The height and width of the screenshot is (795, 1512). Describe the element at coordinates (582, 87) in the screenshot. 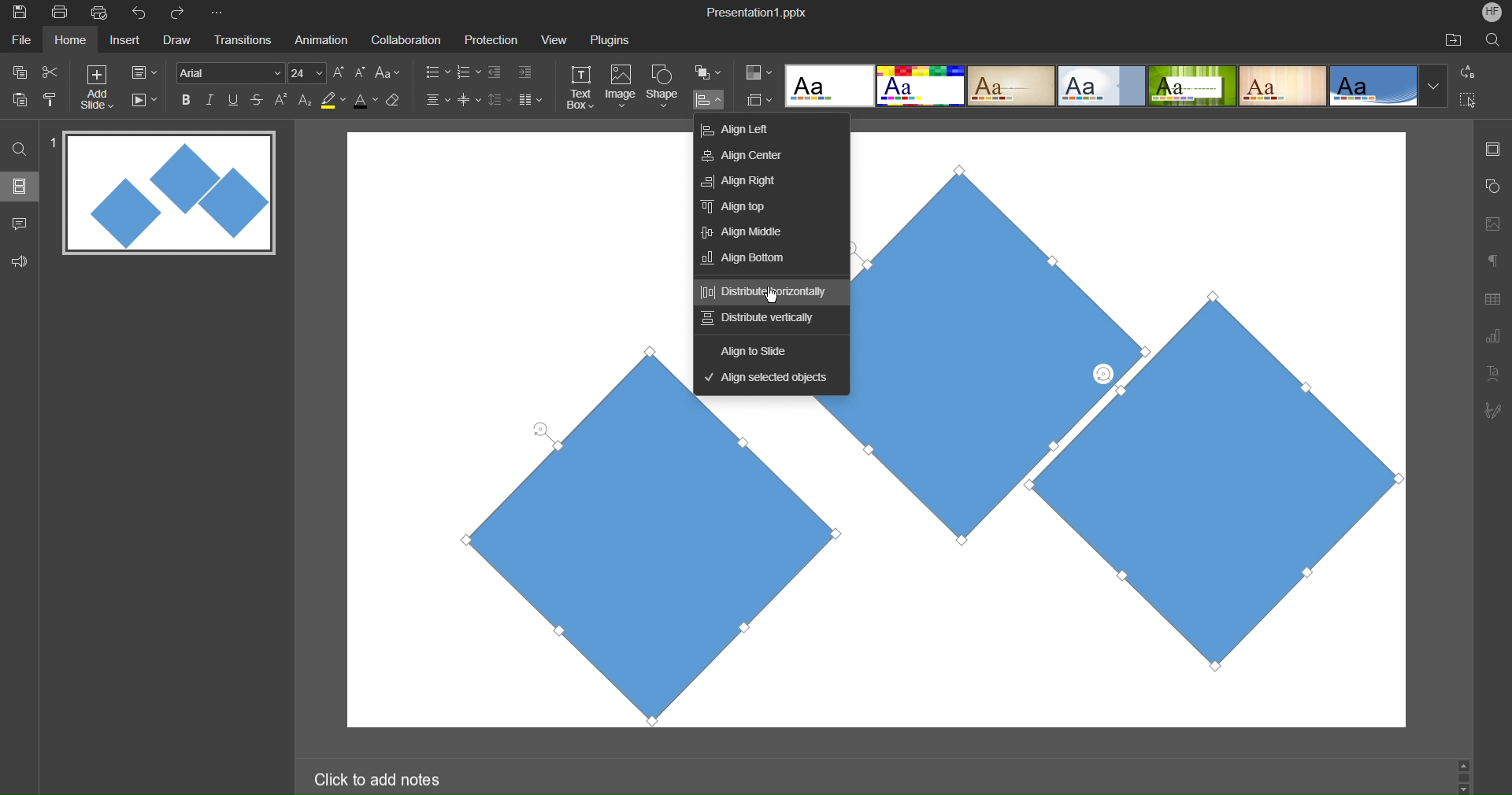

I see `Text Box` at that location.